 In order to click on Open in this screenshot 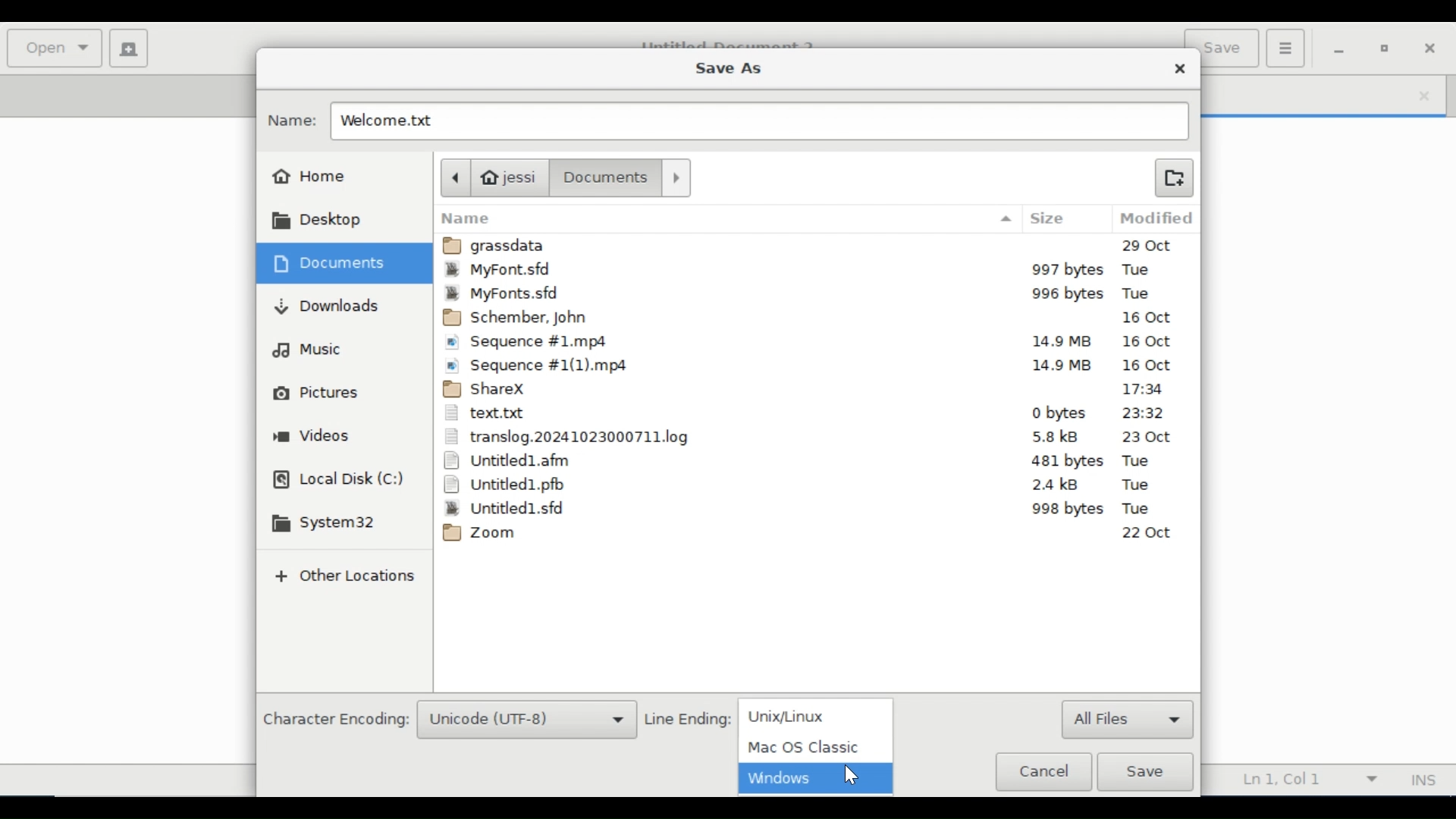, I will do `click(55, 49)`.